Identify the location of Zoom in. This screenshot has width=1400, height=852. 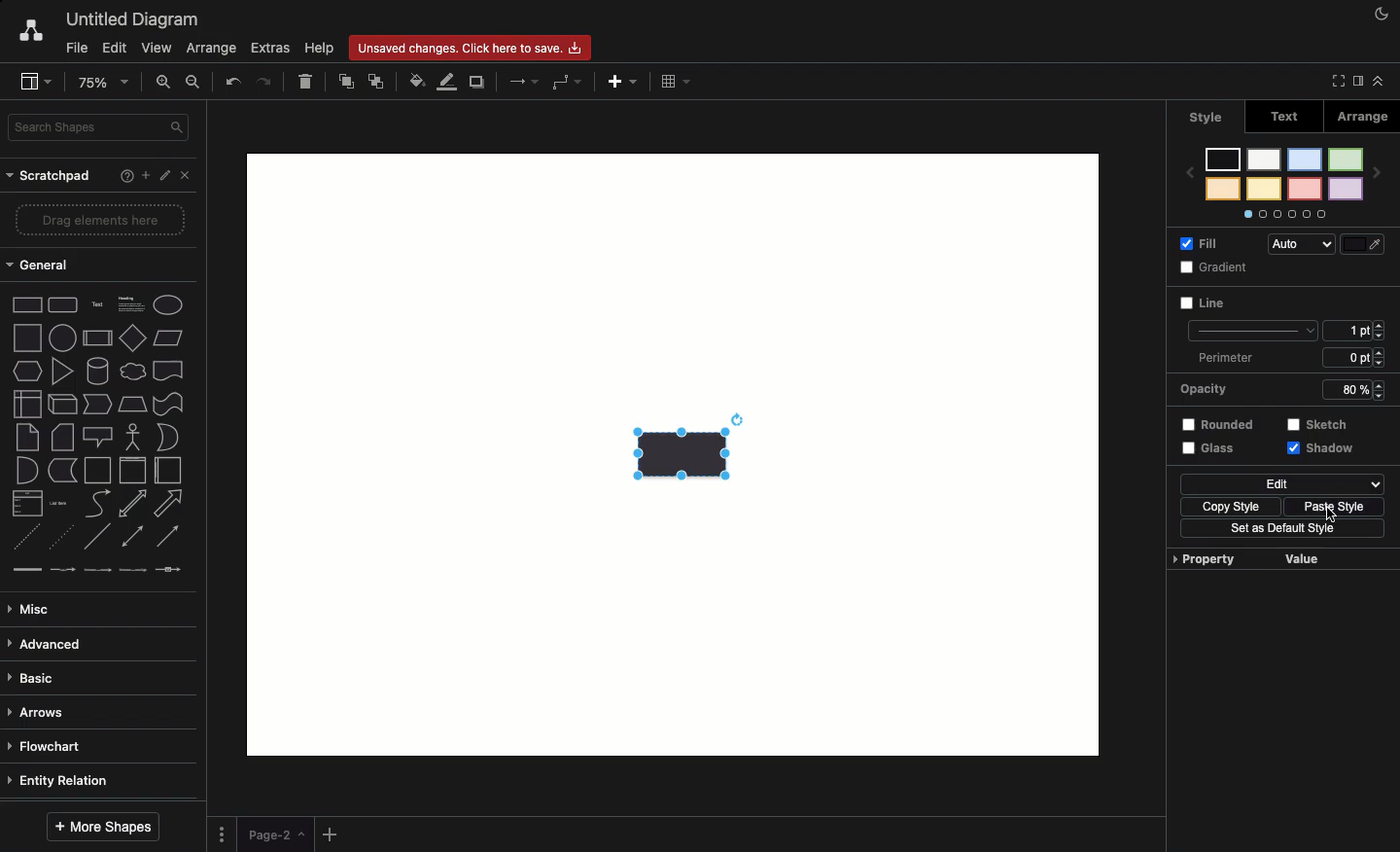
(164, 85).